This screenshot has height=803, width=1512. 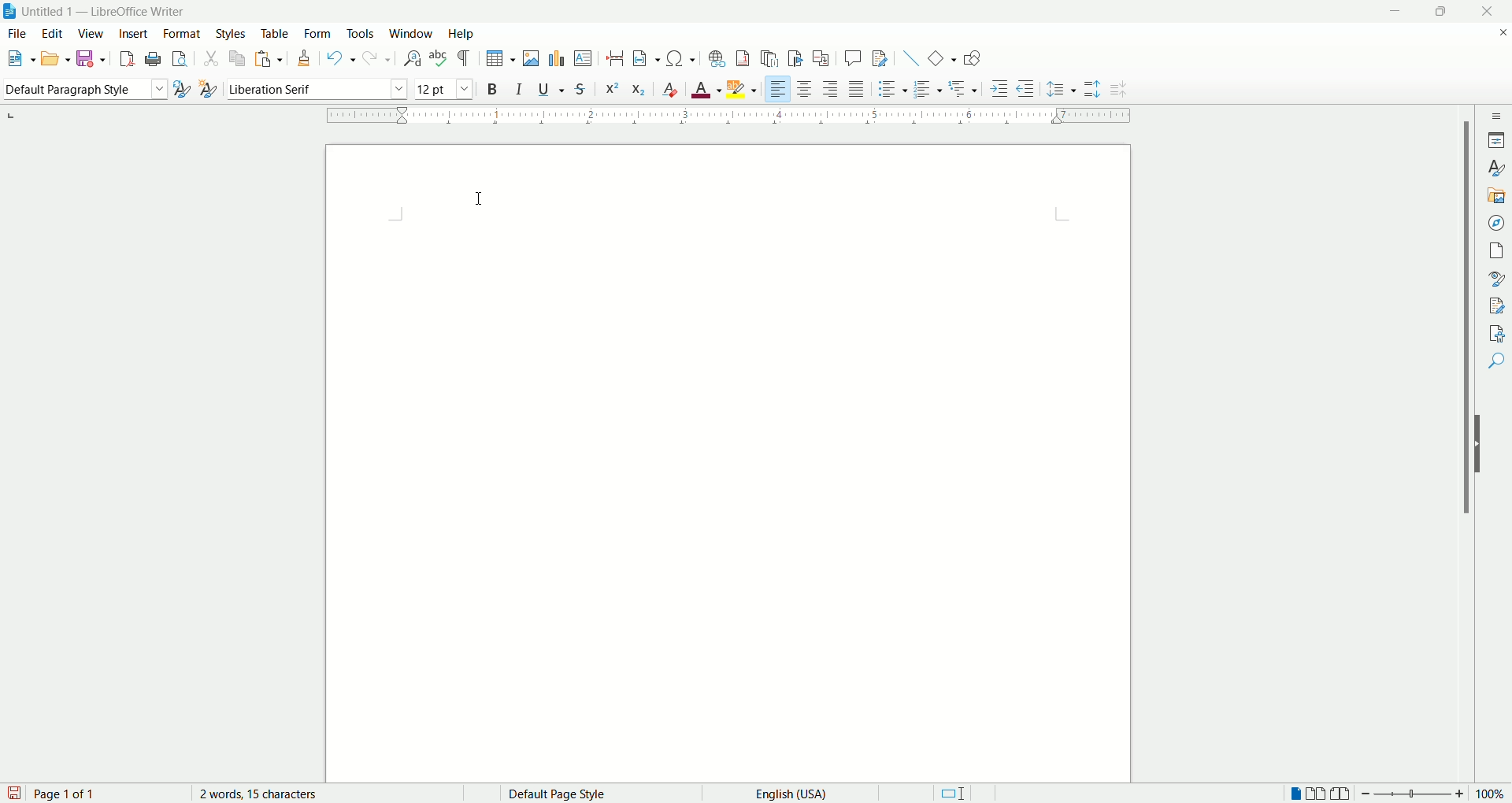 What do you see at coordinates (15, 791) in the screenshot?
I see `save` at bounding box center [15, 791].